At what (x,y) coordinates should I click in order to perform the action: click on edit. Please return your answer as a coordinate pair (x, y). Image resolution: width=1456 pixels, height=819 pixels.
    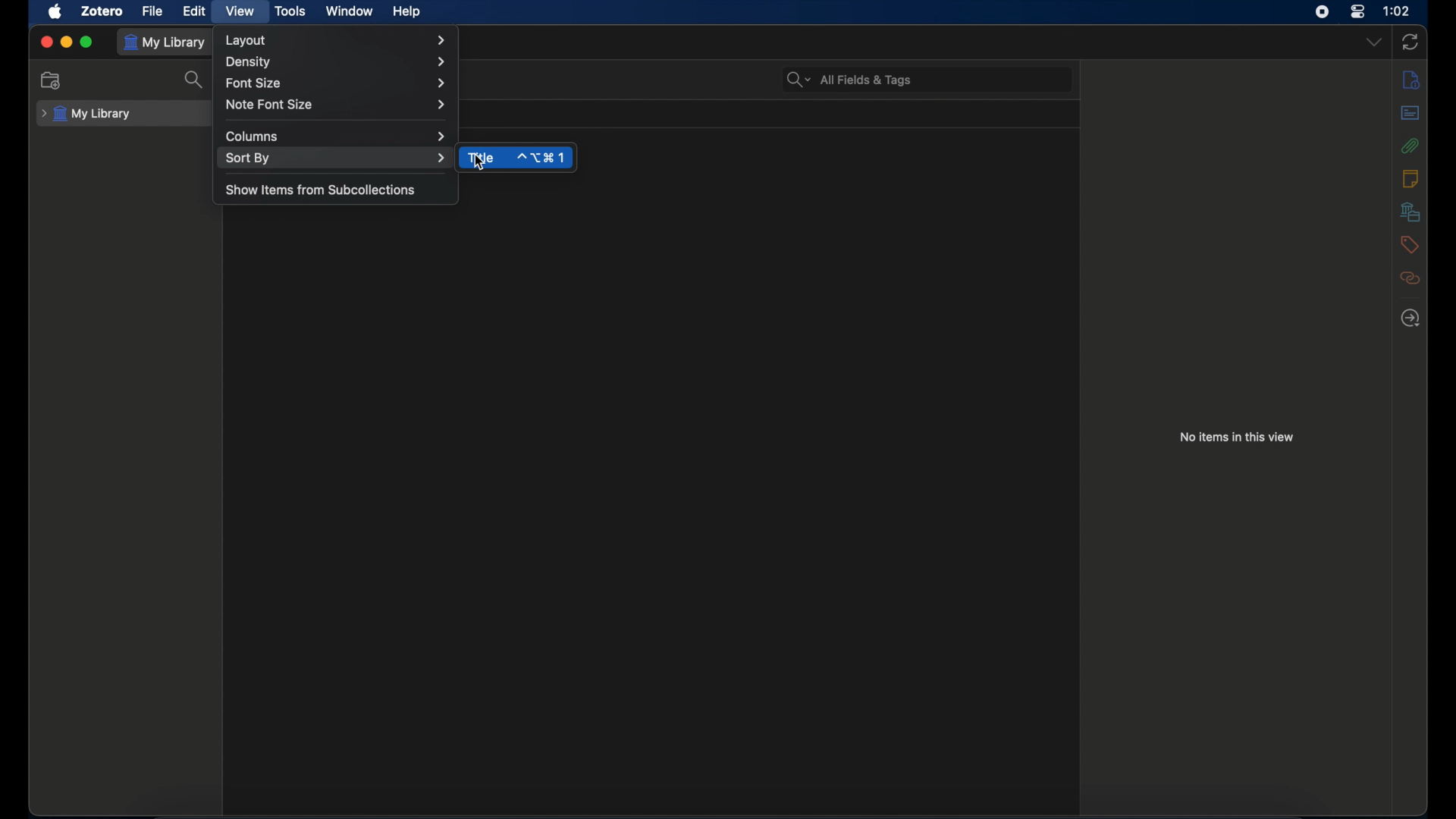
    Looking at the image, I should click on (195, 11).